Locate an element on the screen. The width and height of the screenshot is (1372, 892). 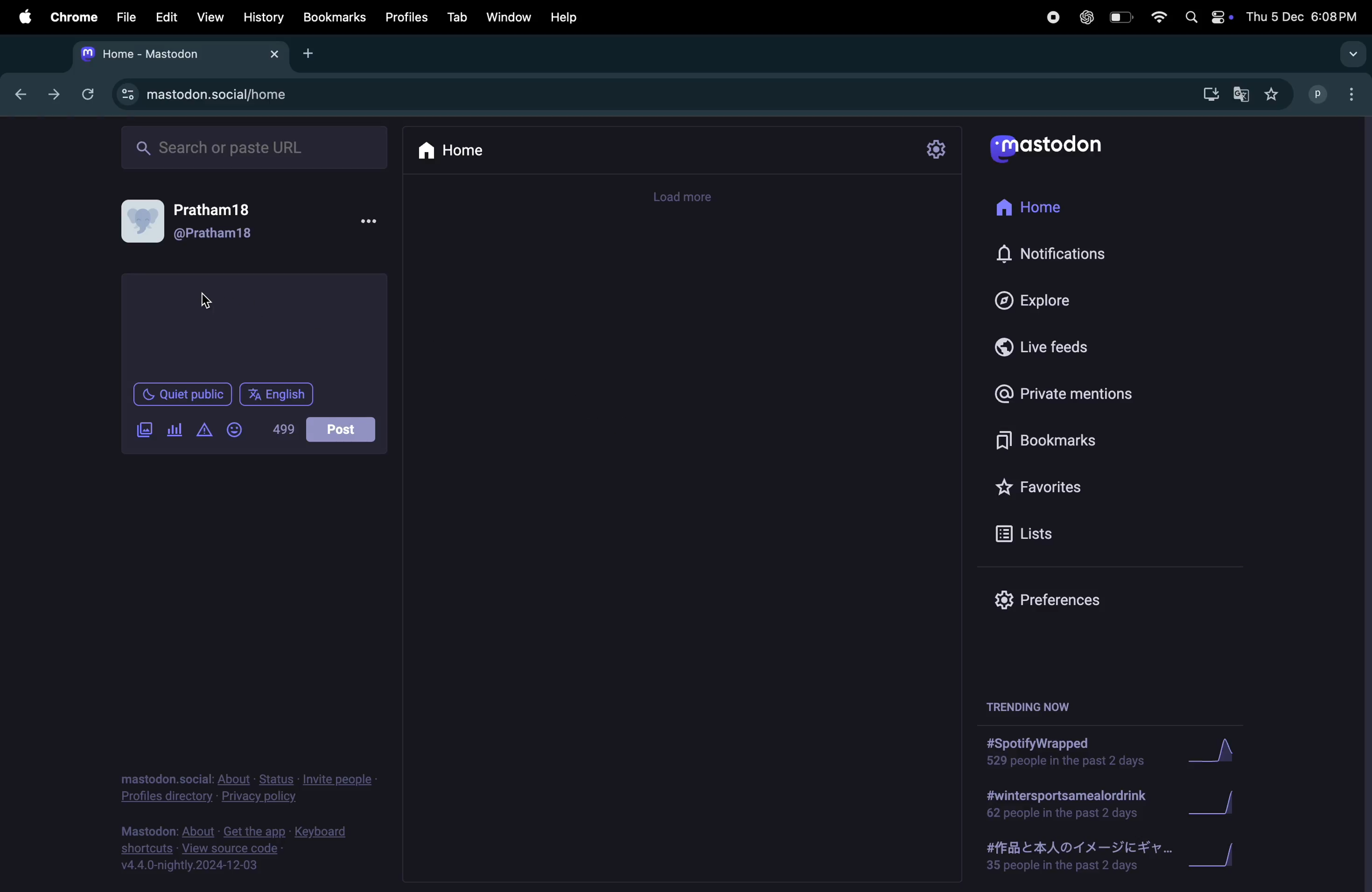
favourites is located at coordinates (1275, 97).